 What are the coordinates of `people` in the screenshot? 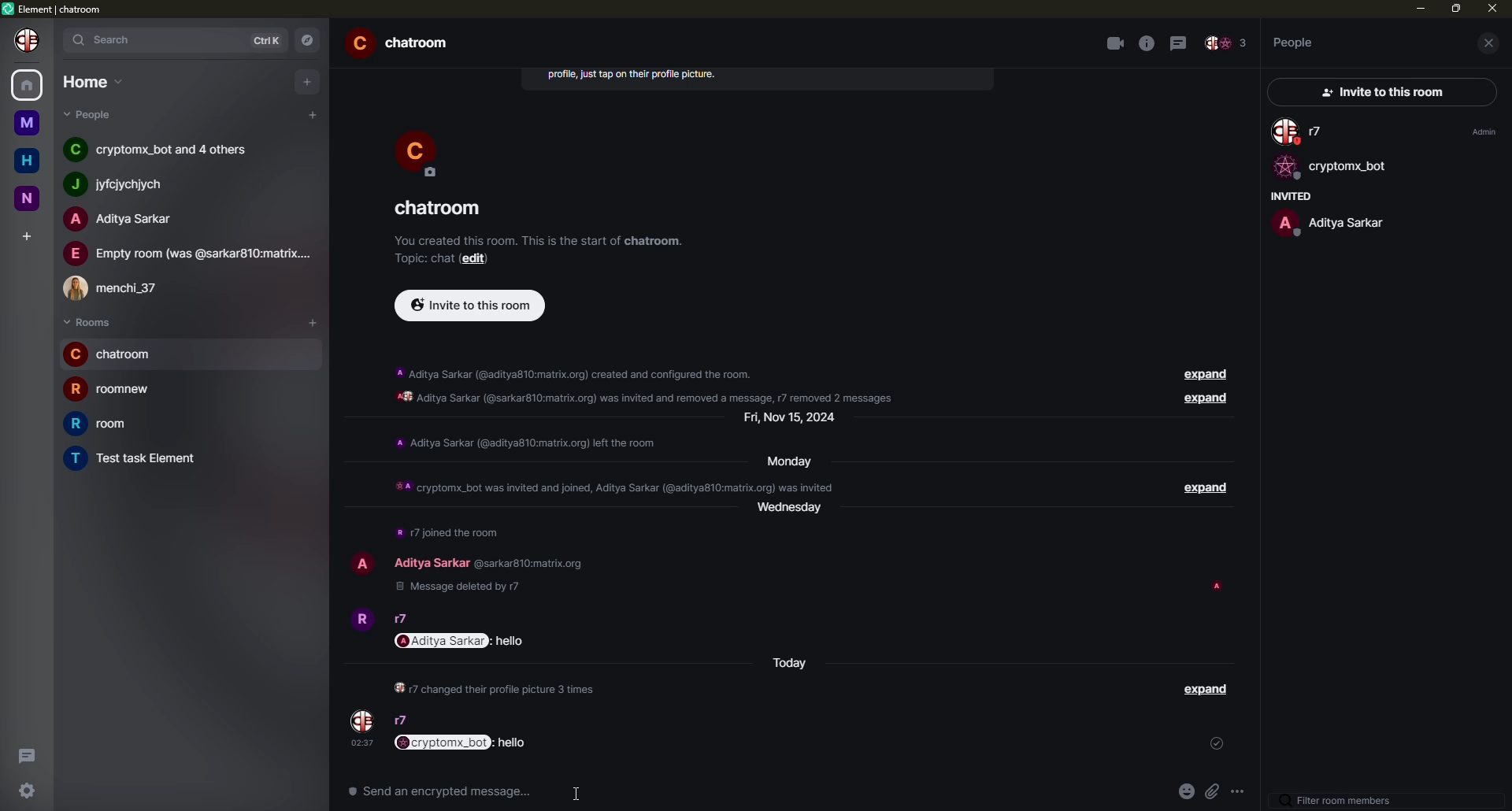 It's located at (124, 184).